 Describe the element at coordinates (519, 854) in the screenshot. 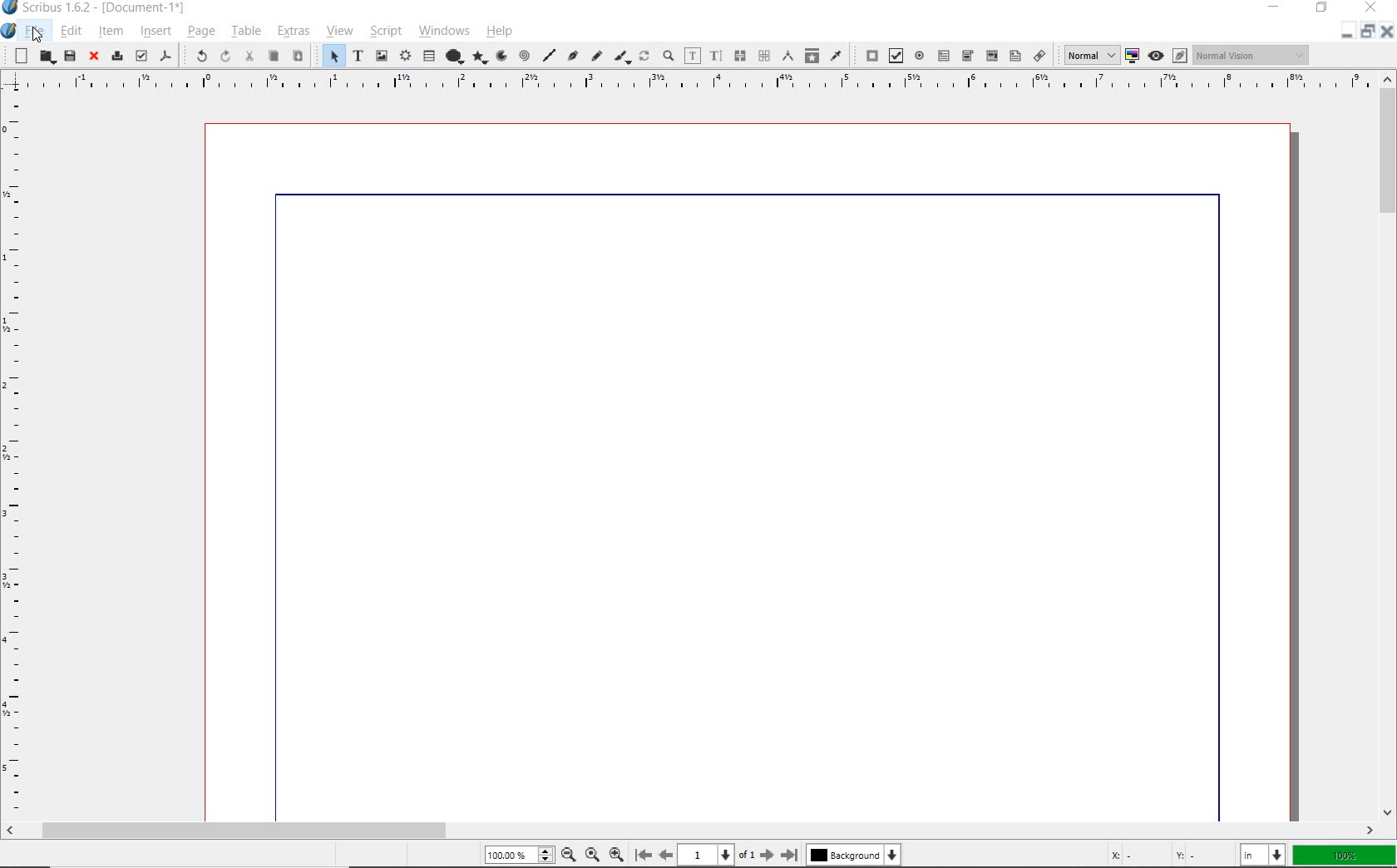

I see `Zoom 100.00%` at that location.